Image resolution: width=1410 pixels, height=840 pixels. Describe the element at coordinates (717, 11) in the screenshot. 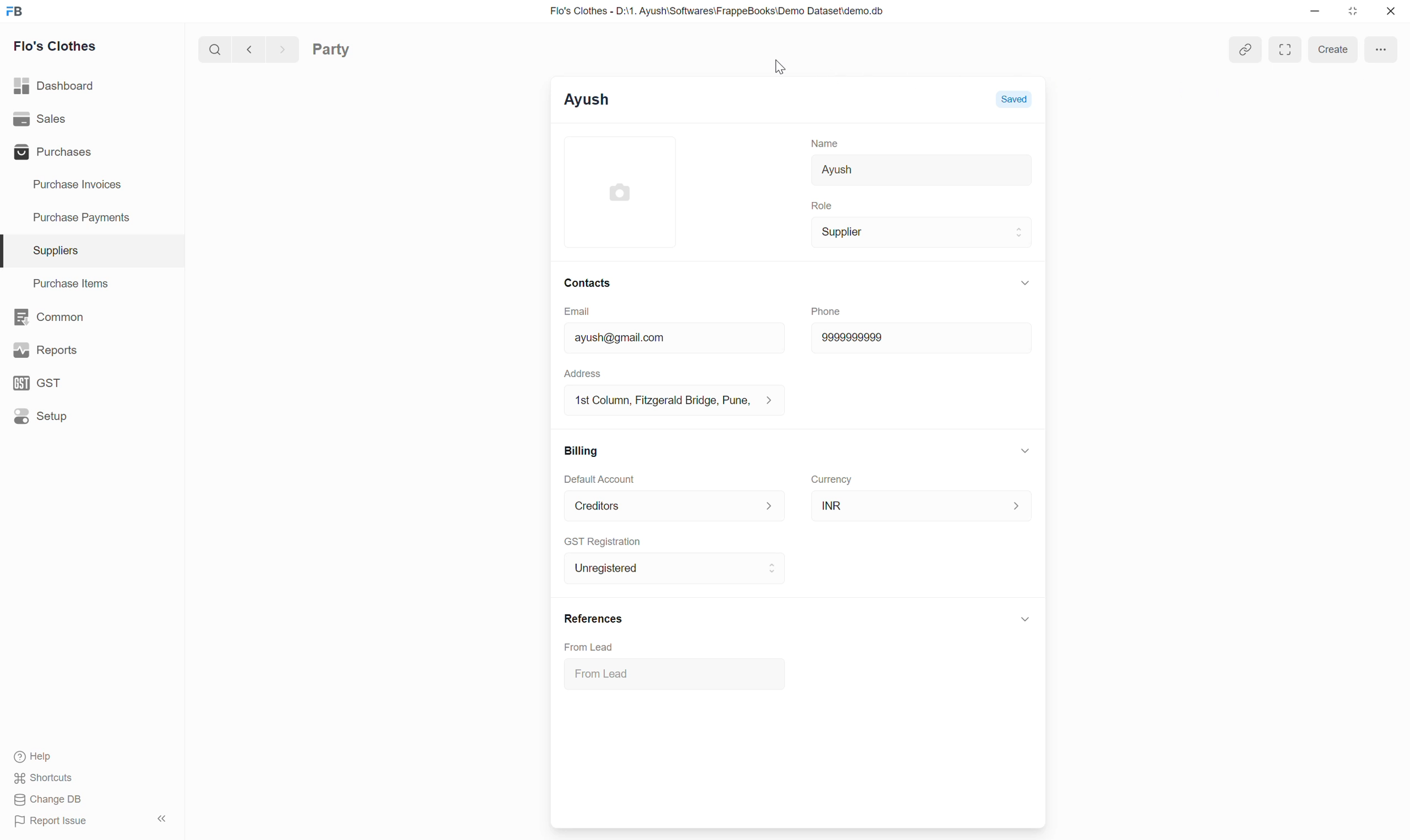

I see `Flo's Clothes - D:\1. Ayush\Softwares\FrappeBooks\Demo Dataset\demo.db` at that location.